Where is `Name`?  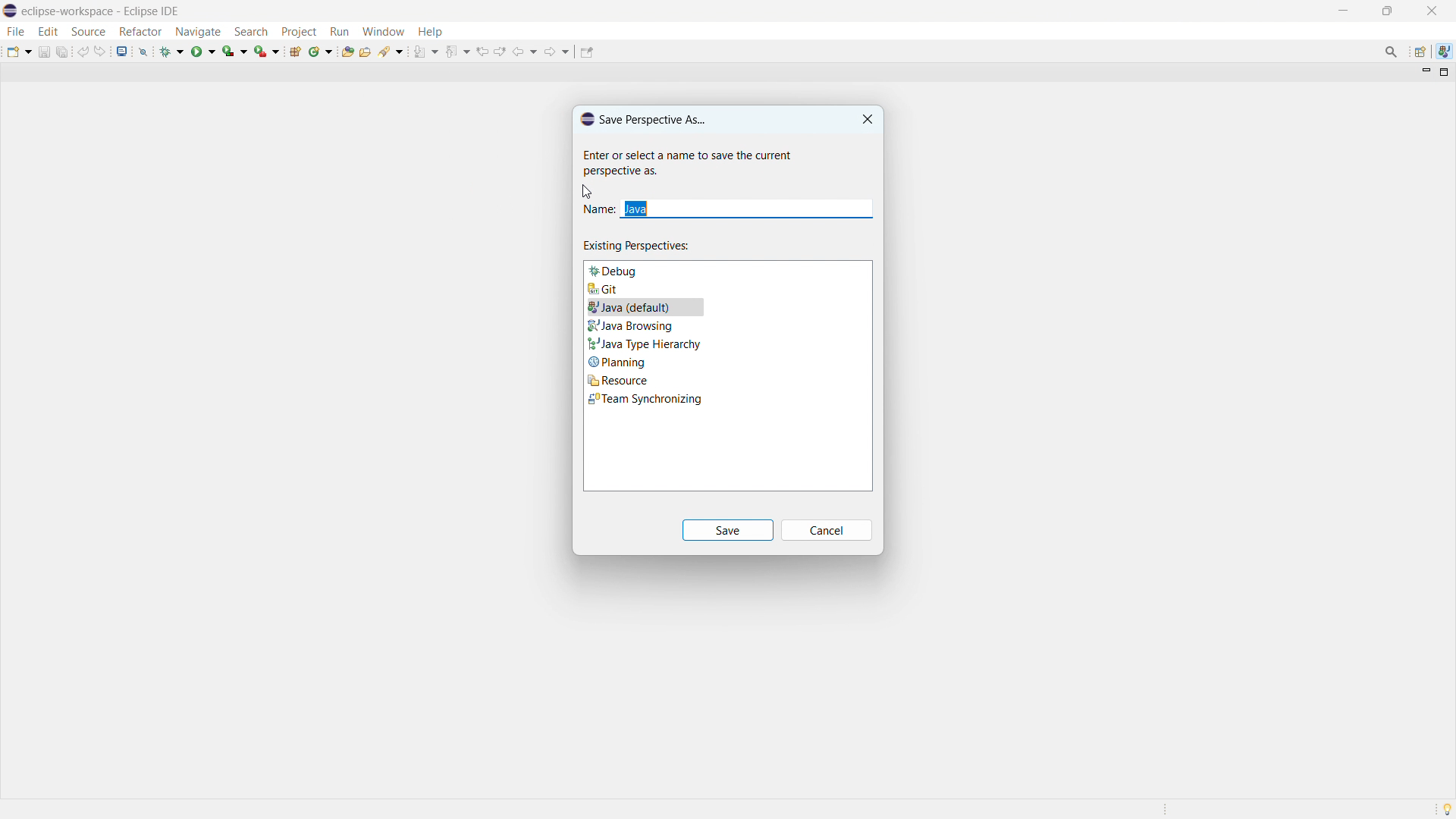
Name is located at coordinates (598, 209).